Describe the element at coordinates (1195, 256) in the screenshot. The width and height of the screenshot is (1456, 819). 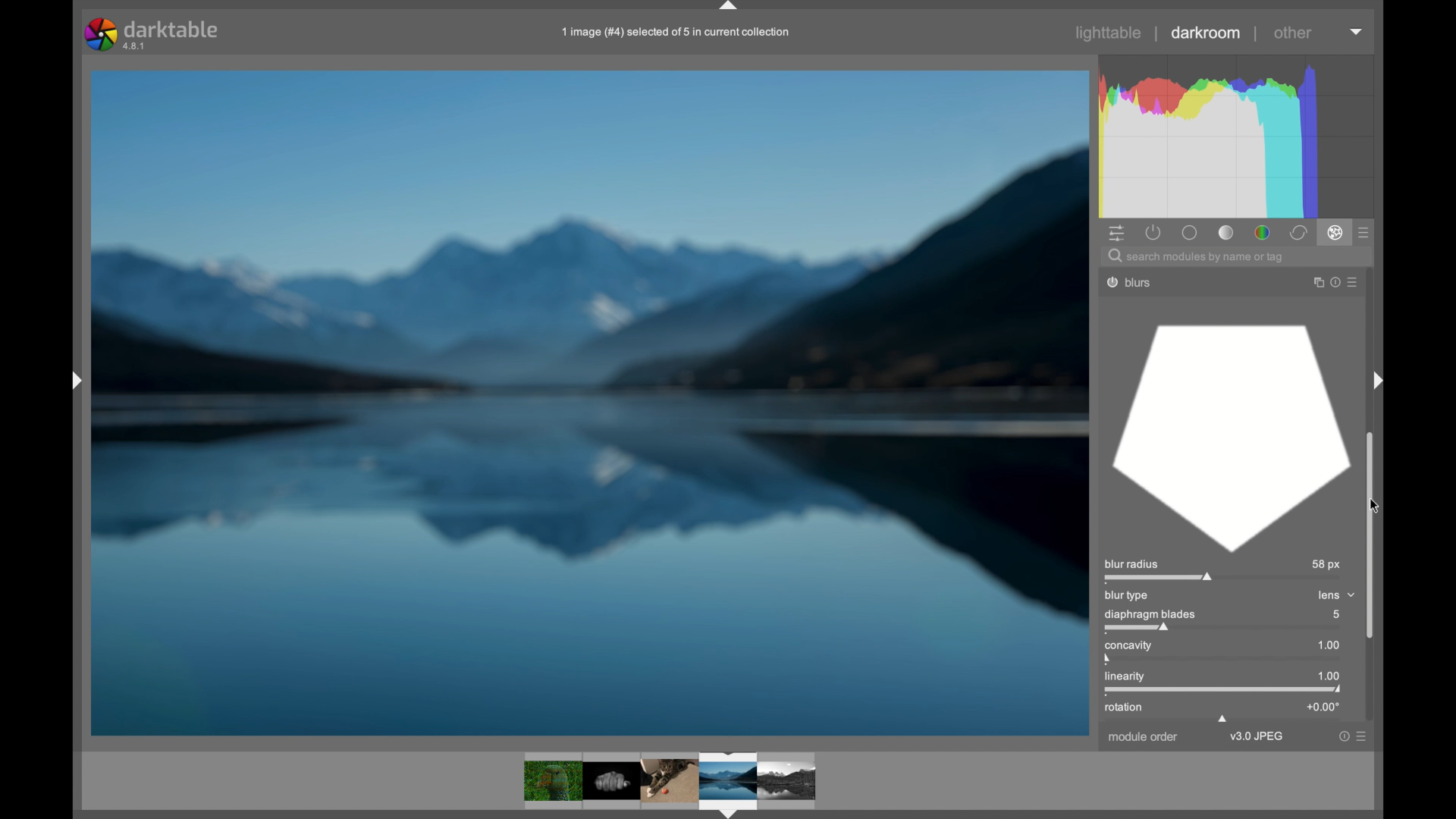
I see `search module by name or tag` at that location.